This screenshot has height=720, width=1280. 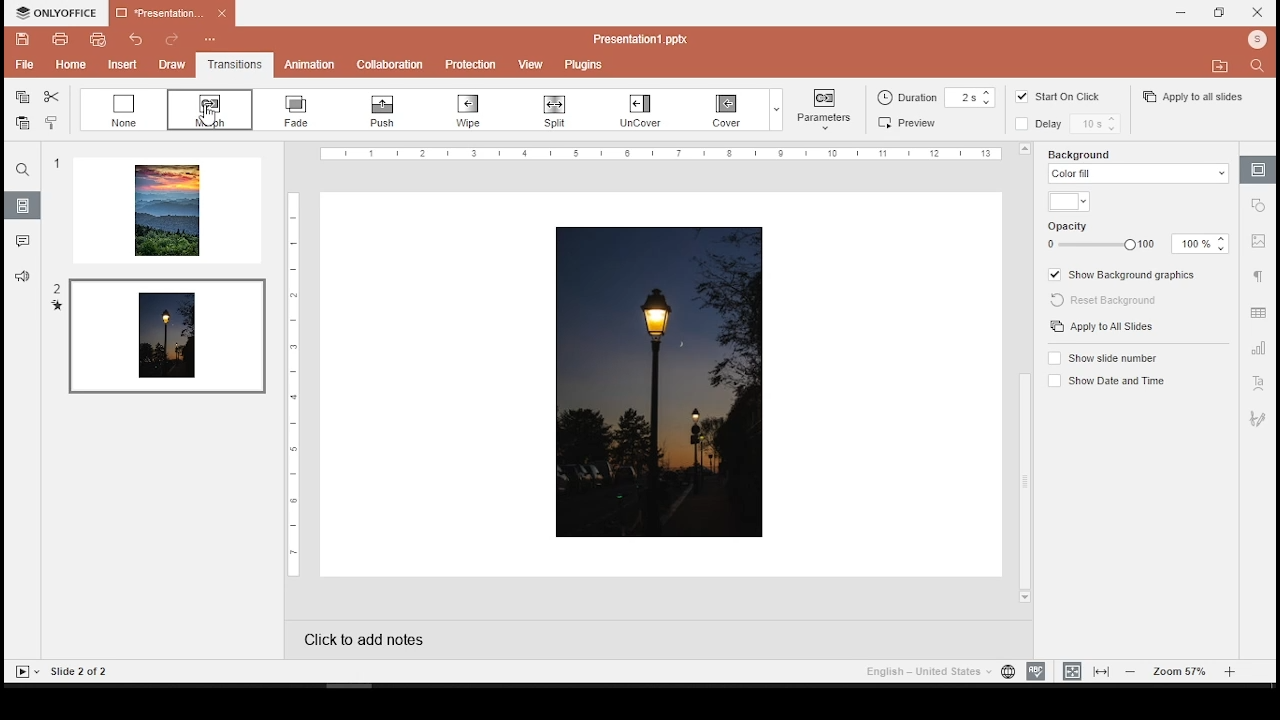 I want to click on clone formatting, so click(x=50, y=123).